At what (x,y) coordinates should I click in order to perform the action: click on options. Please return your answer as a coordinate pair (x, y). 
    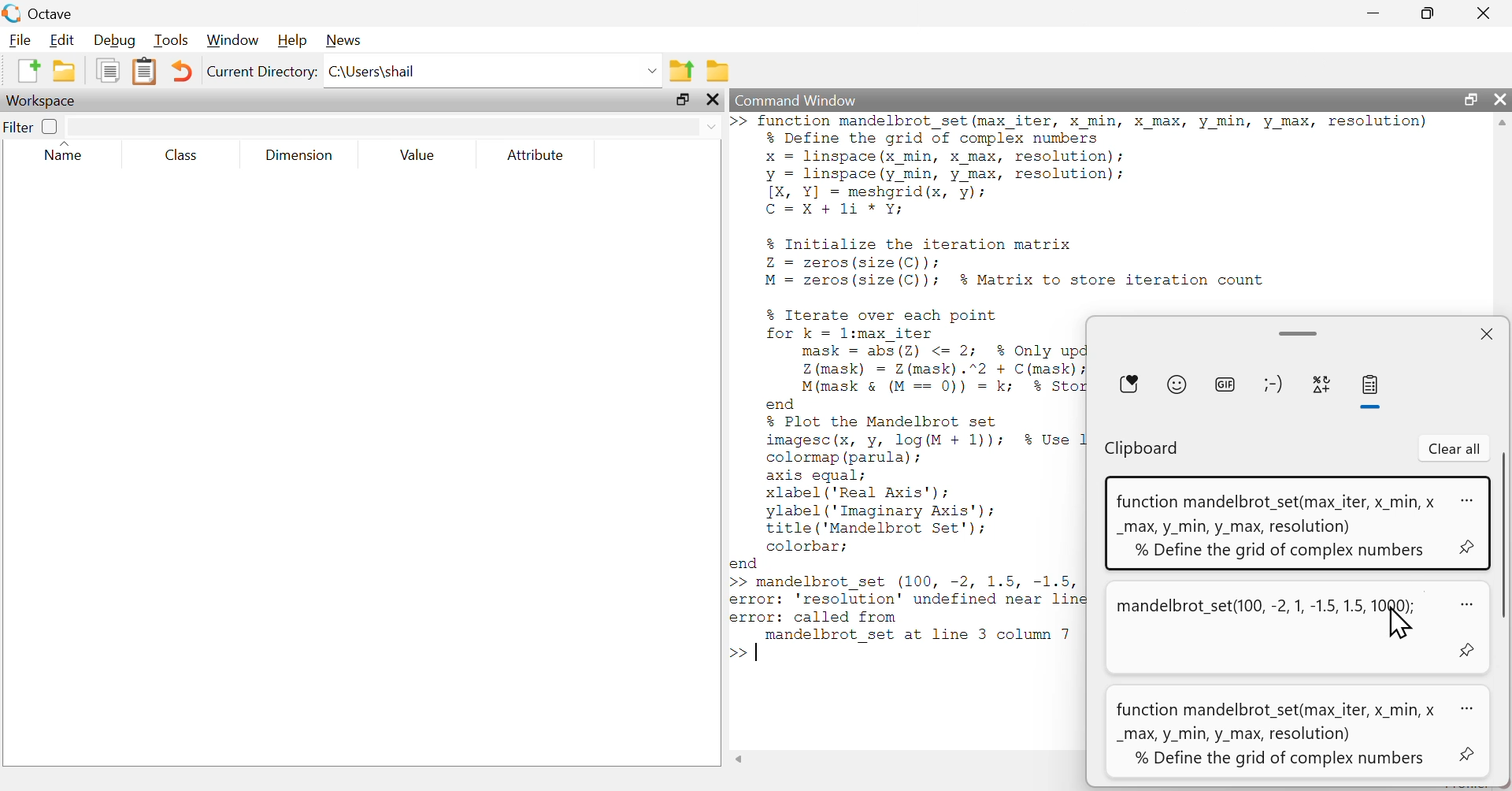
    Looking at the image, I should click on (1468, 605).